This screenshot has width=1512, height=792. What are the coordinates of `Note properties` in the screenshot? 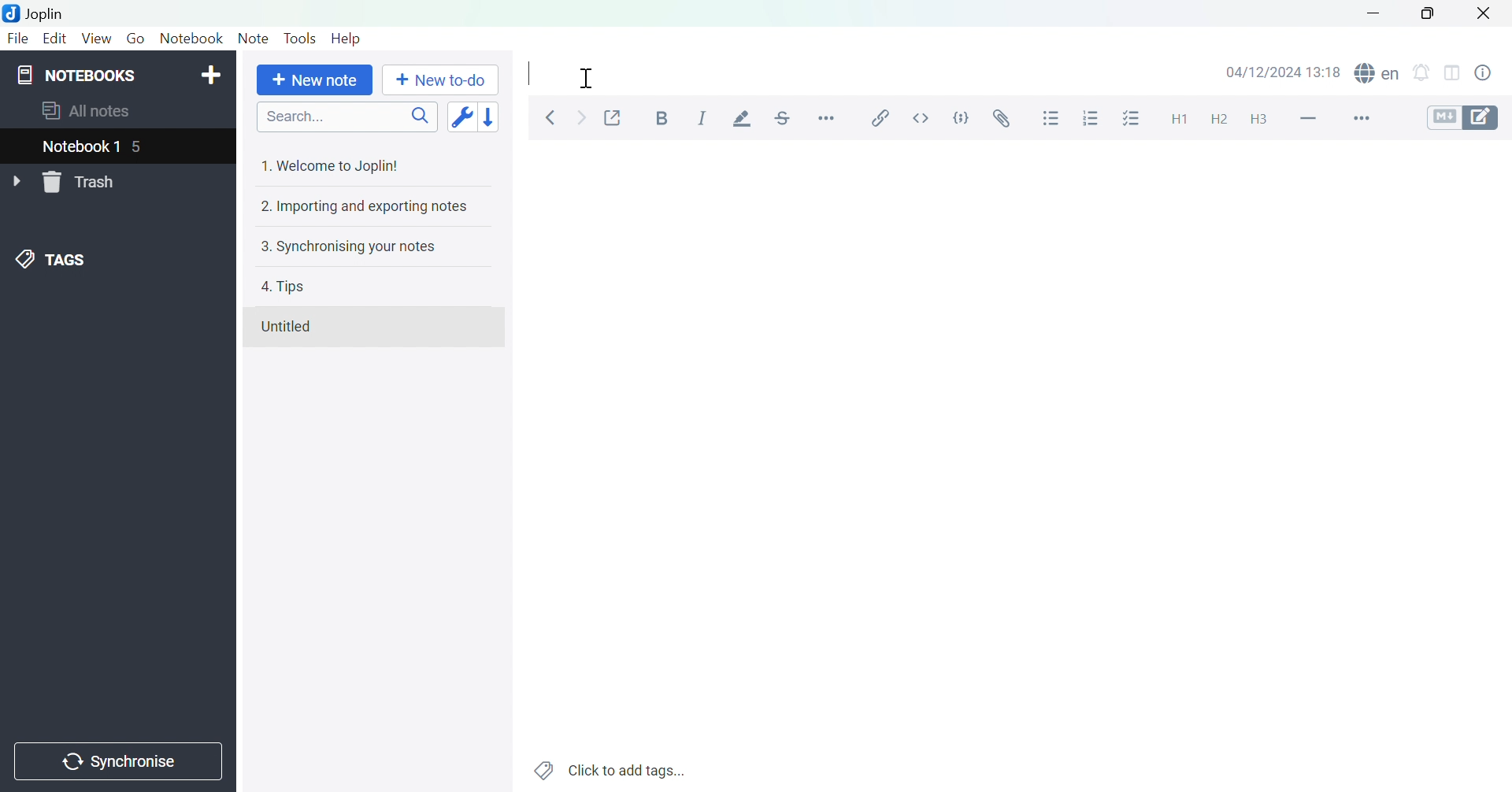 It's located at (1490, 73).